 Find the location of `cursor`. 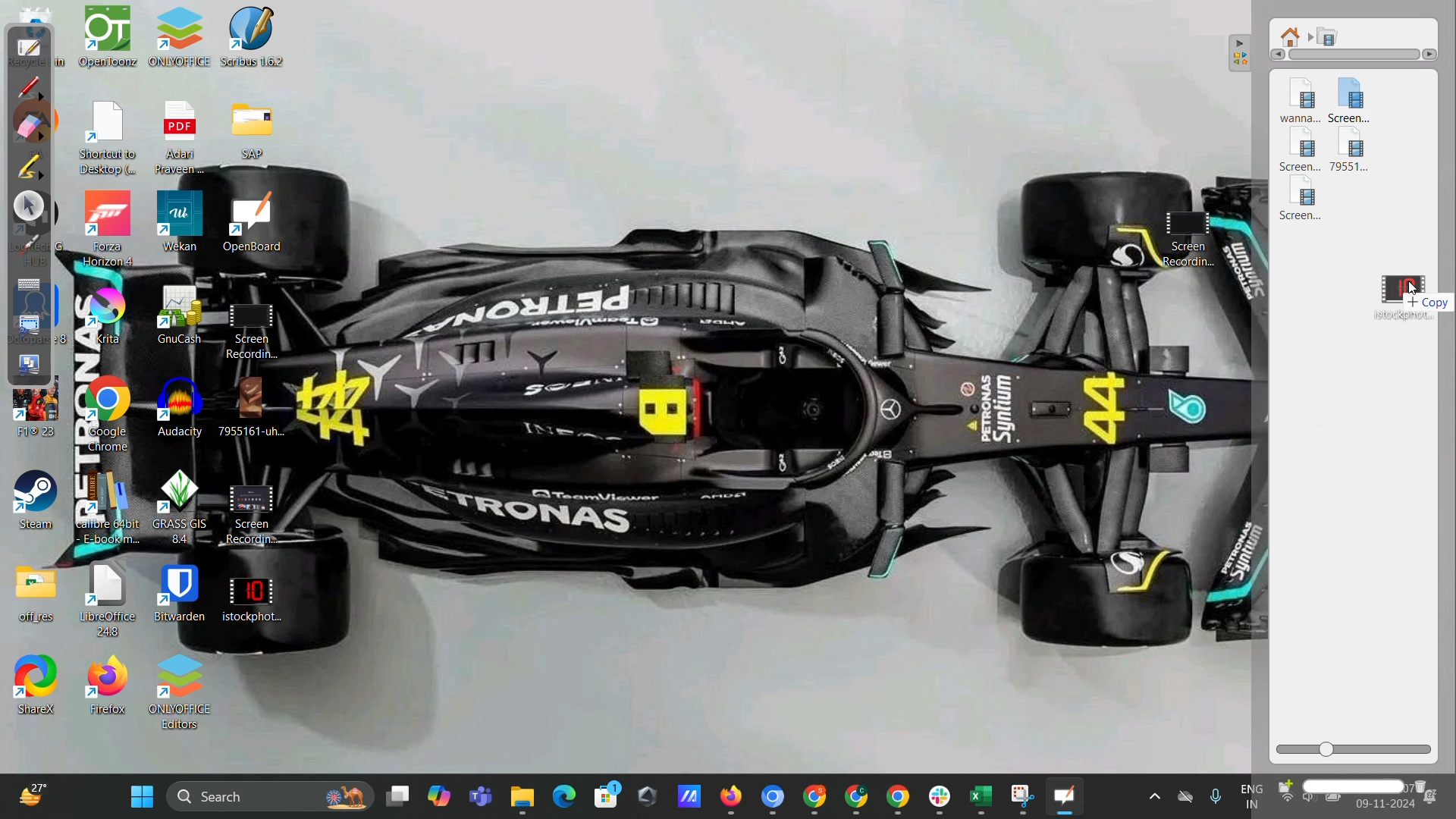

cursor is located at coordinates (1414, 288).